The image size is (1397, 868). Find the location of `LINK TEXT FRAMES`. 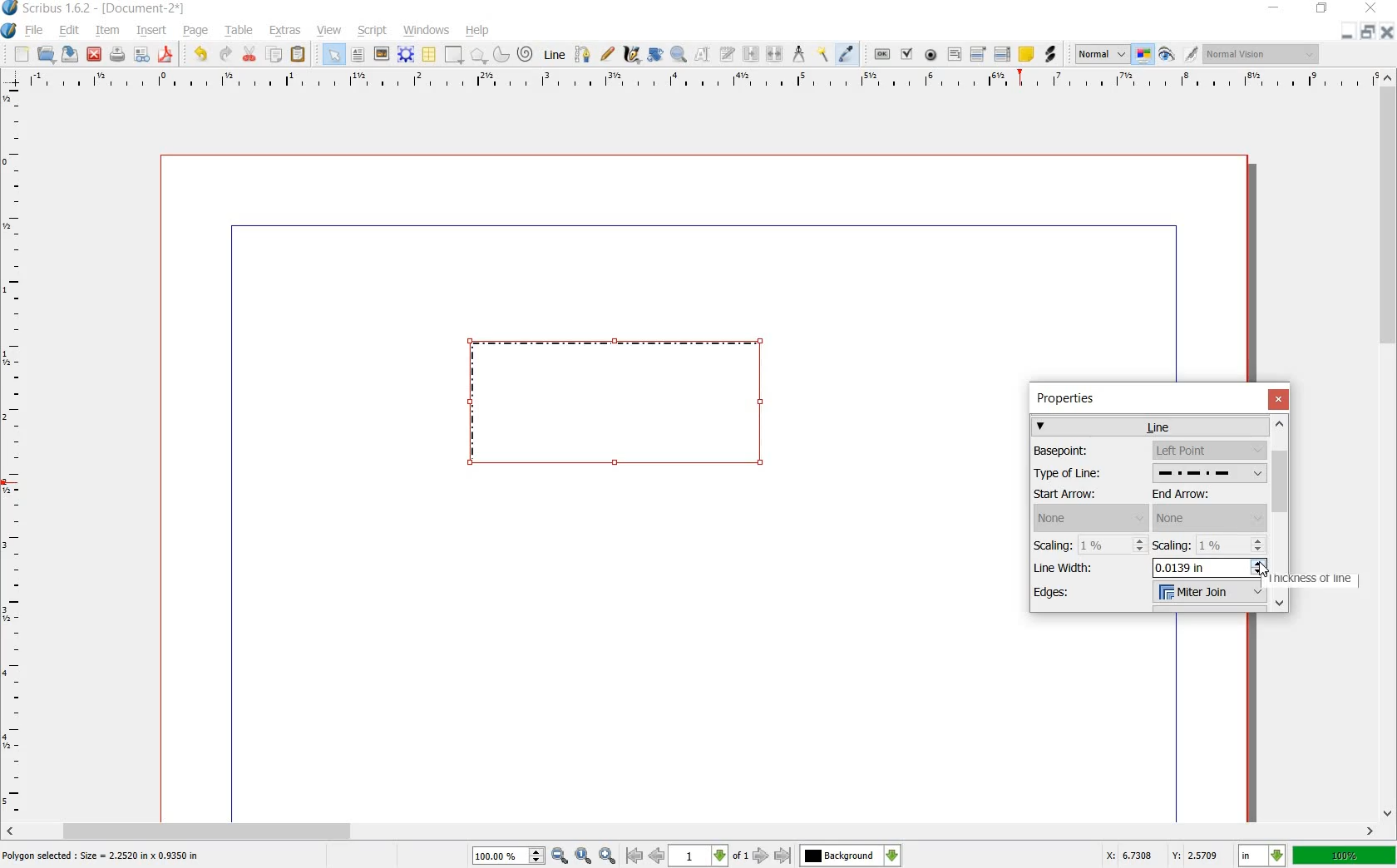

LINK TEXT FRAMES is located at coordinates (751, 55).